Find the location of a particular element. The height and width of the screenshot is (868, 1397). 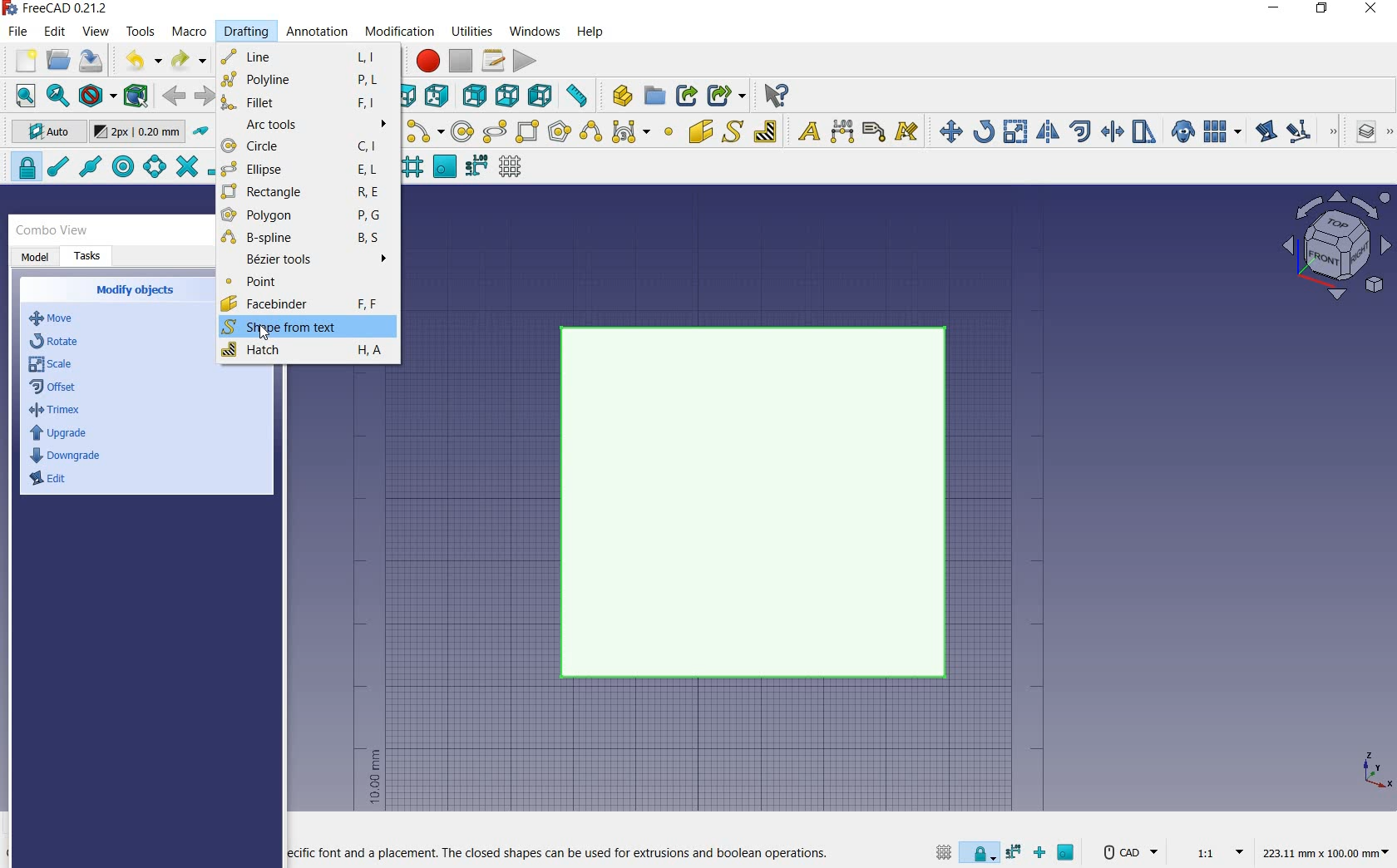

dimension is located at coordinates (843, 133).